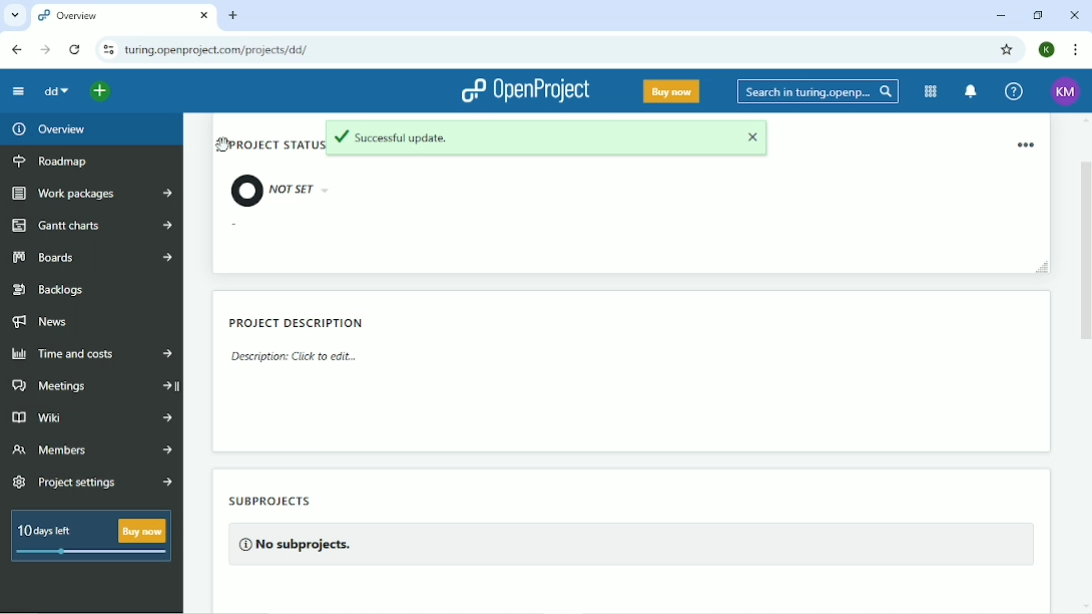 This screenshot has height=614, width=1092. I want to click on Gantt charts, so click(90, 227).